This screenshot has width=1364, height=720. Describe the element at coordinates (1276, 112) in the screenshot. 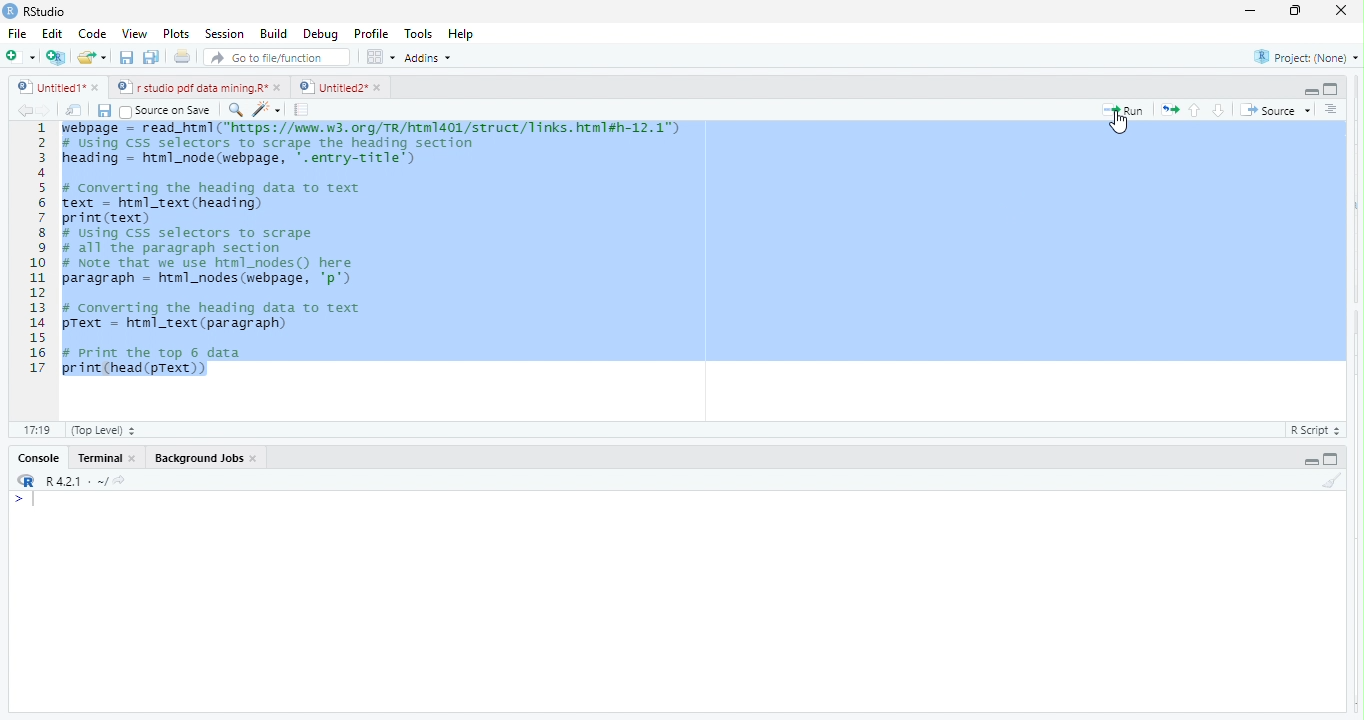

I see ` Source ` at that location.